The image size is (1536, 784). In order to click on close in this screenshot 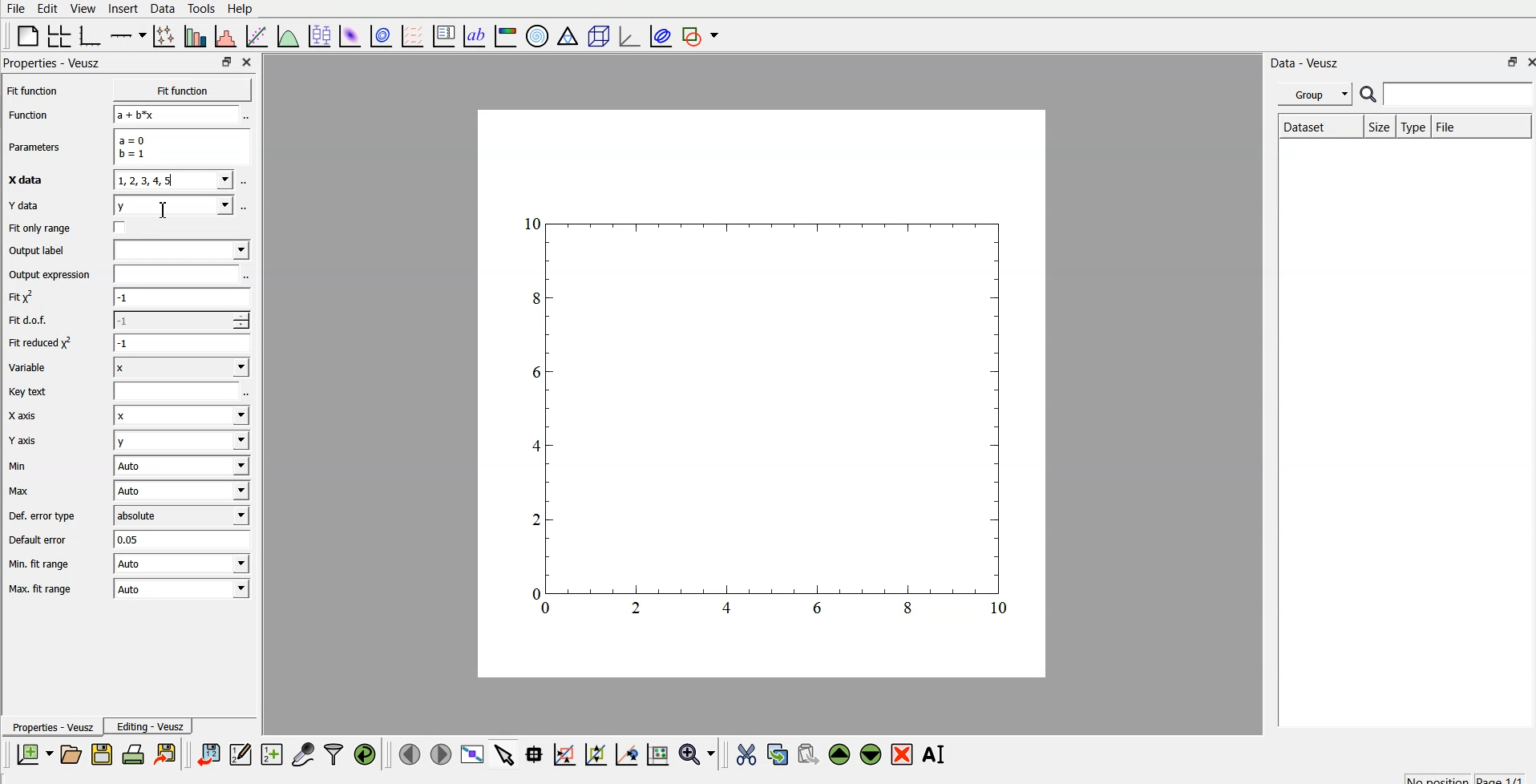, I will do `click(1526, 65)`.